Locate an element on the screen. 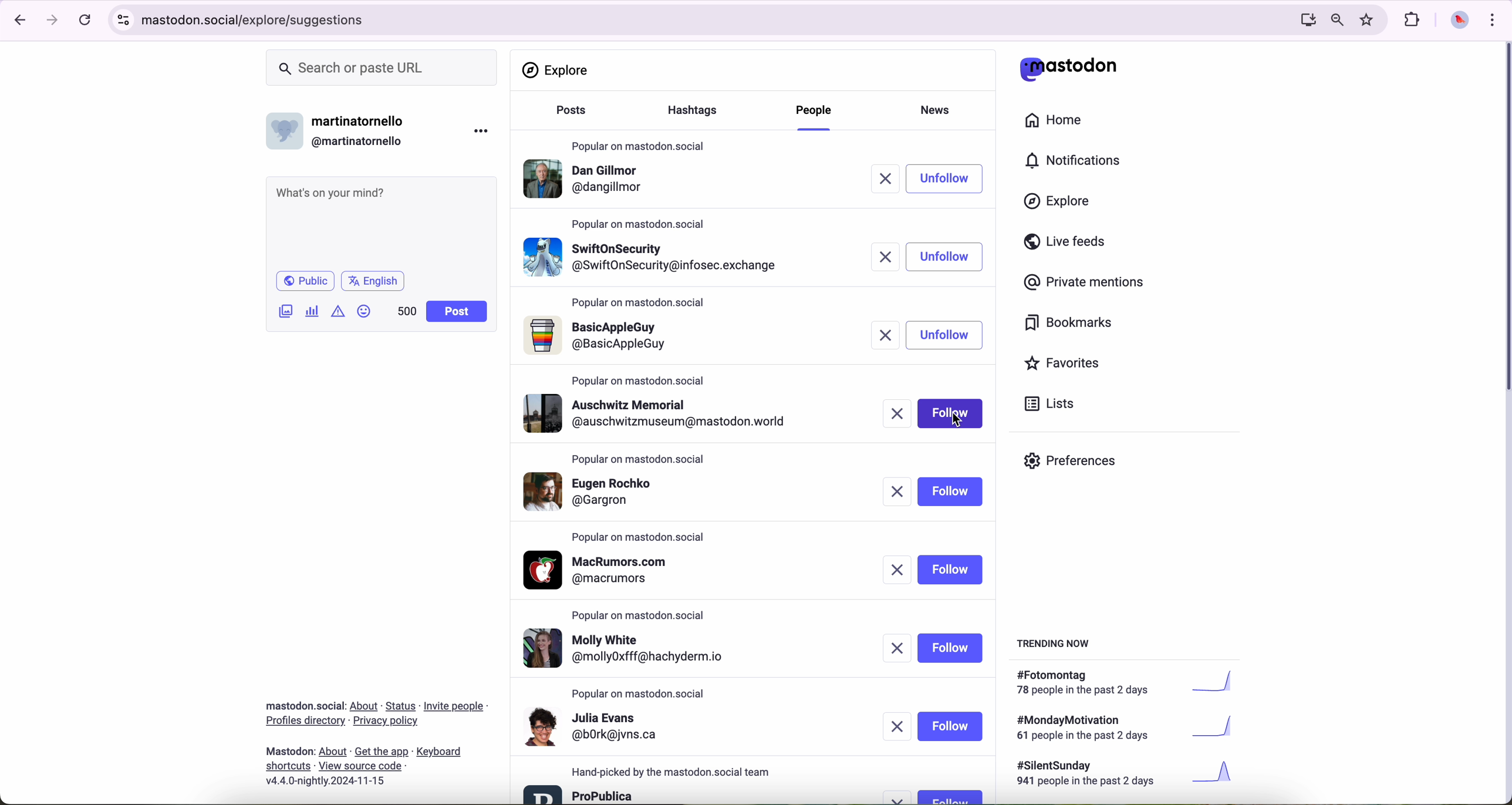  favorites is located at coordinates (1067, 365).